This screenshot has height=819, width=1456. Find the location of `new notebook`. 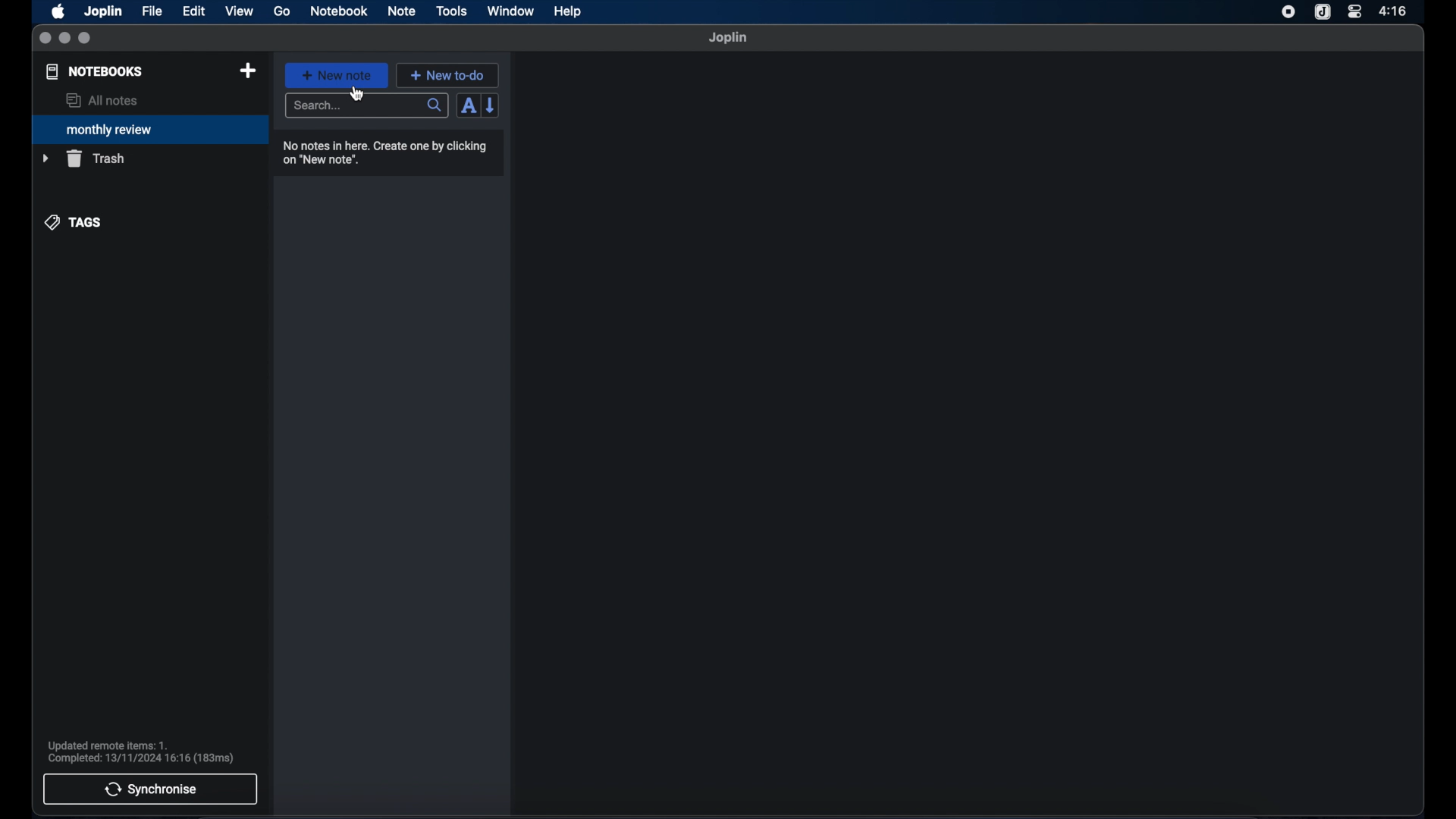

new notebook is located at coordinates (247, 71).